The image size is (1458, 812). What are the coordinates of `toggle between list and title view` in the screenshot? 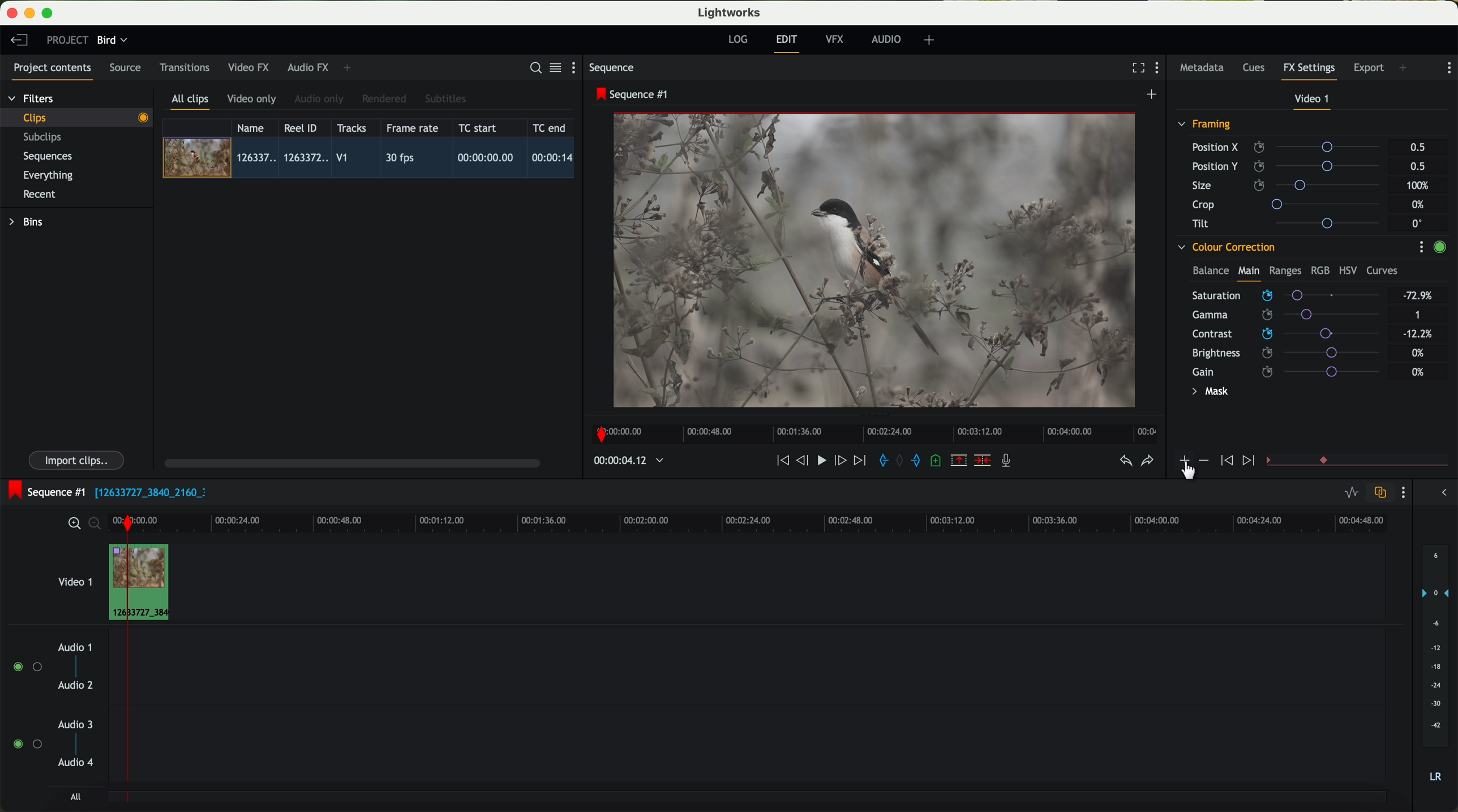 It's located at (554, 67).